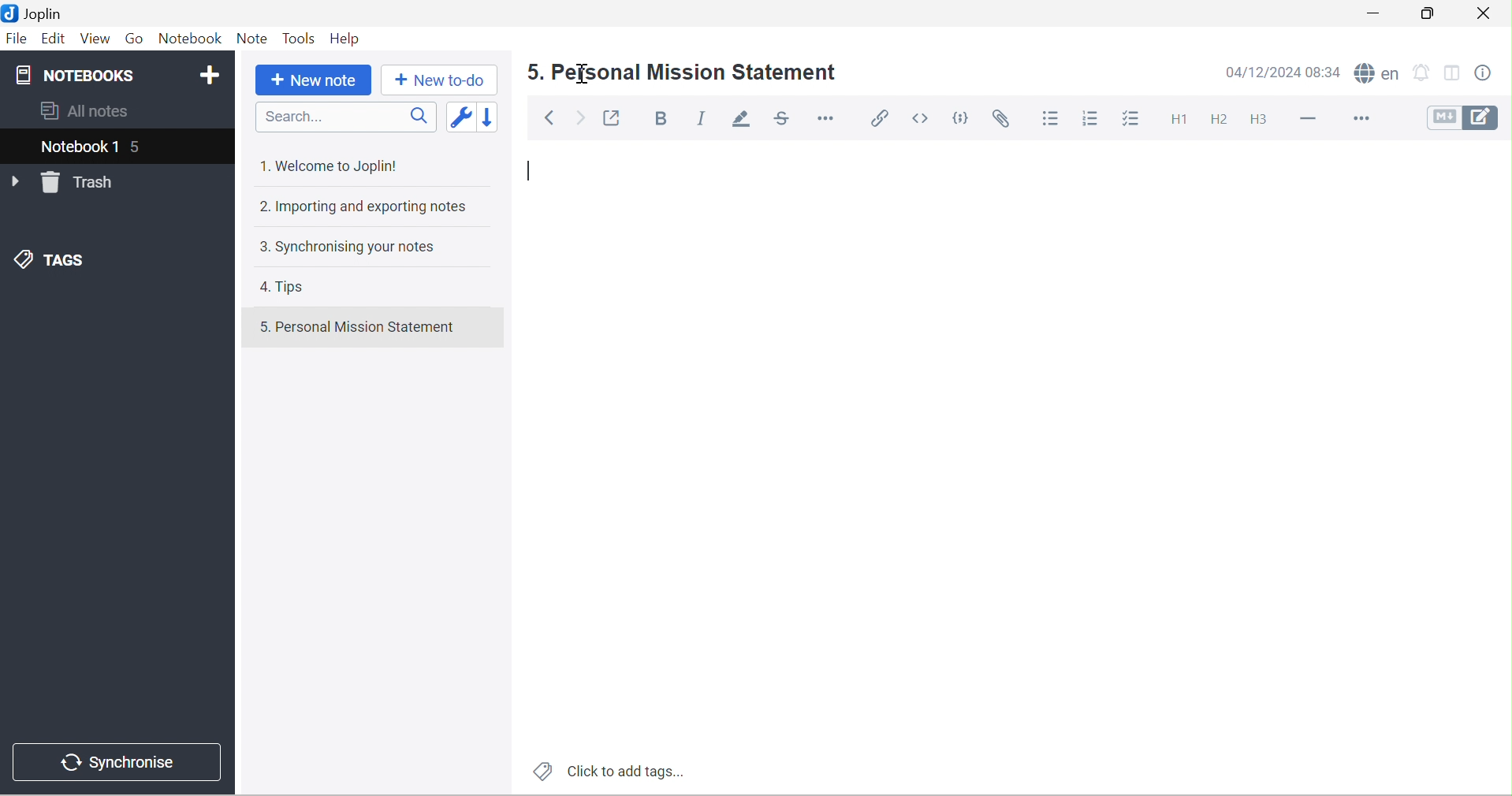  What do you see at coordinates (139, 39) in the screenshot?
I see `Go` at bounding box center [139, 39].